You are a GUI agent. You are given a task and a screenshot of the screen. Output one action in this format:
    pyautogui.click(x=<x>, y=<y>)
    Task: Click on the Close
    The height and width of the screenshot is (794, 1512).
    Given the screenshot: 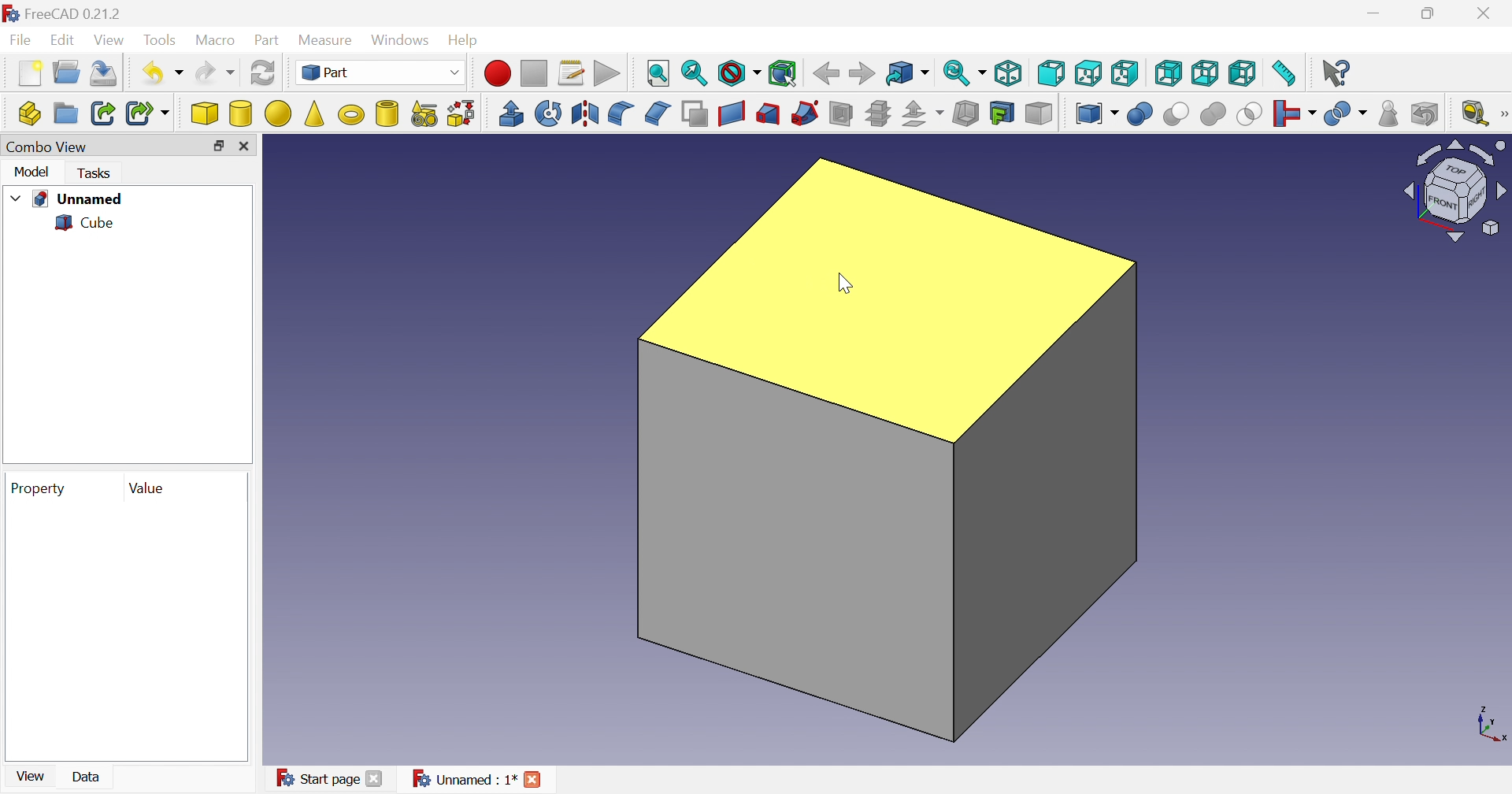 What is the action you would take?
    pyautogui.click(x=373, y=781)
    